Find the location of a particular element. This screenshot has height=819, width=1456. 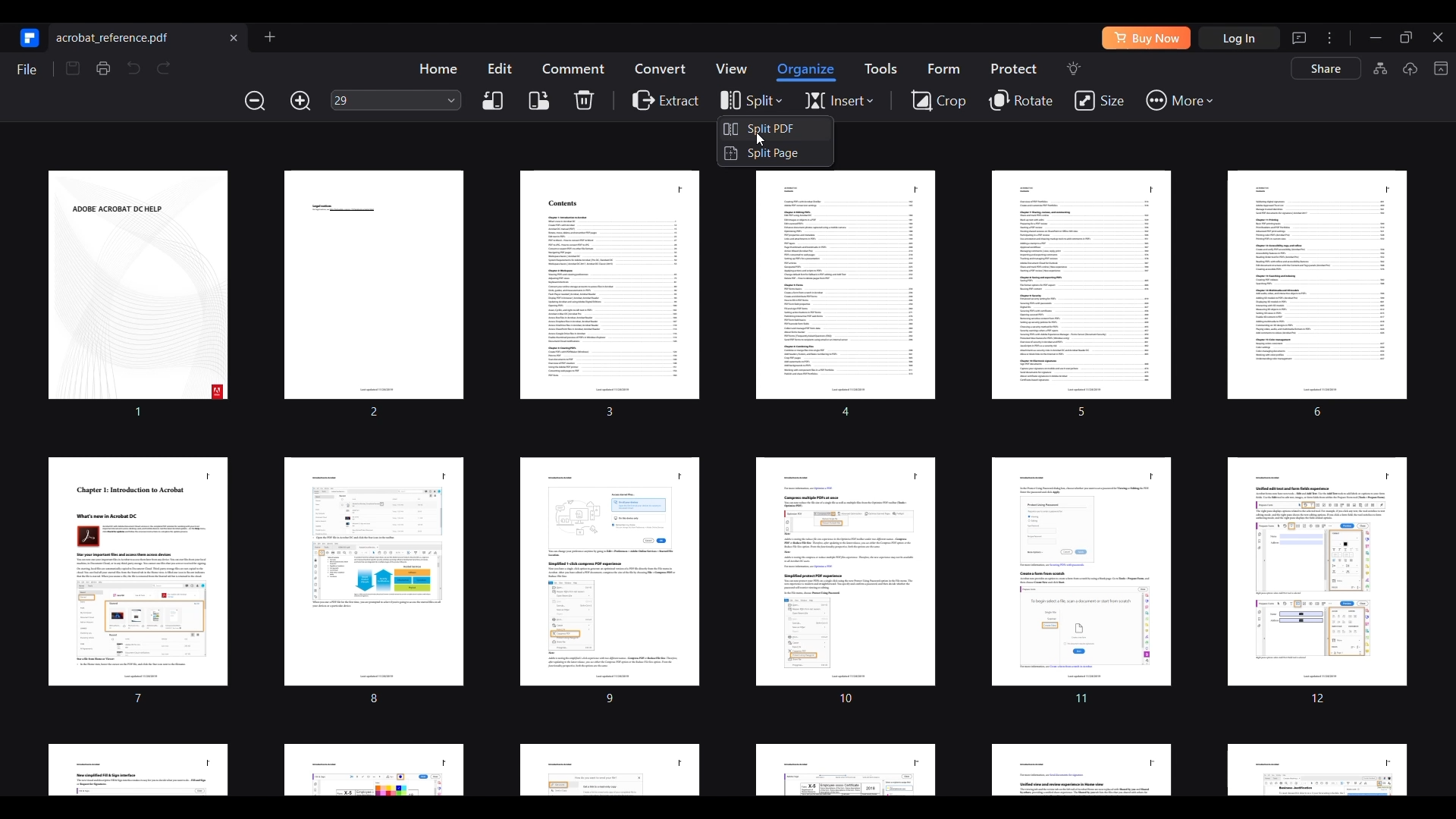

Print is located at coordinates (102, 68).